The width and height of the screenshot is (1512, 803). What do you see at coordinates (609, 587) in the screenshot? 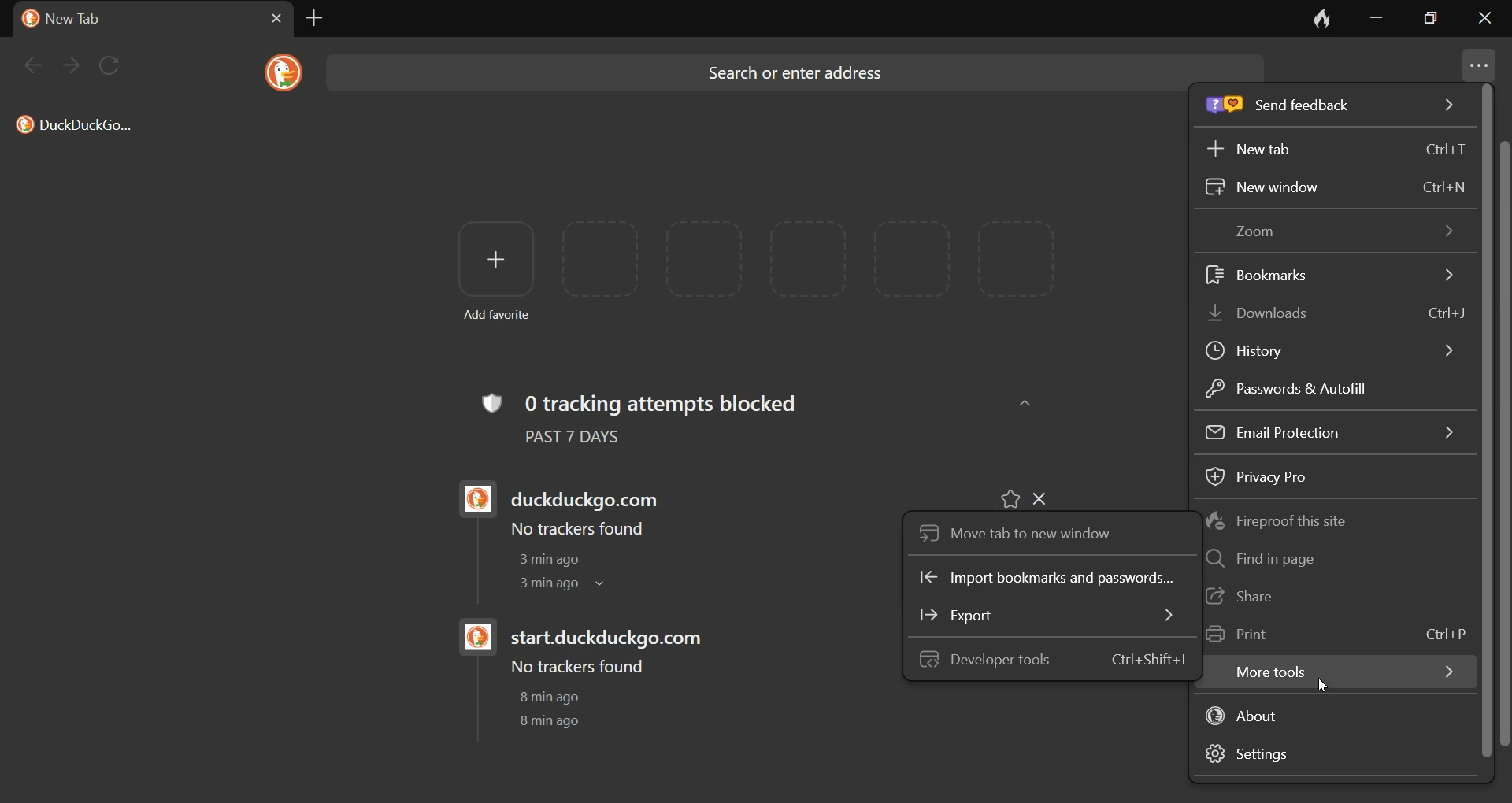
I see `dropdown` at bounding box center [609, 587].